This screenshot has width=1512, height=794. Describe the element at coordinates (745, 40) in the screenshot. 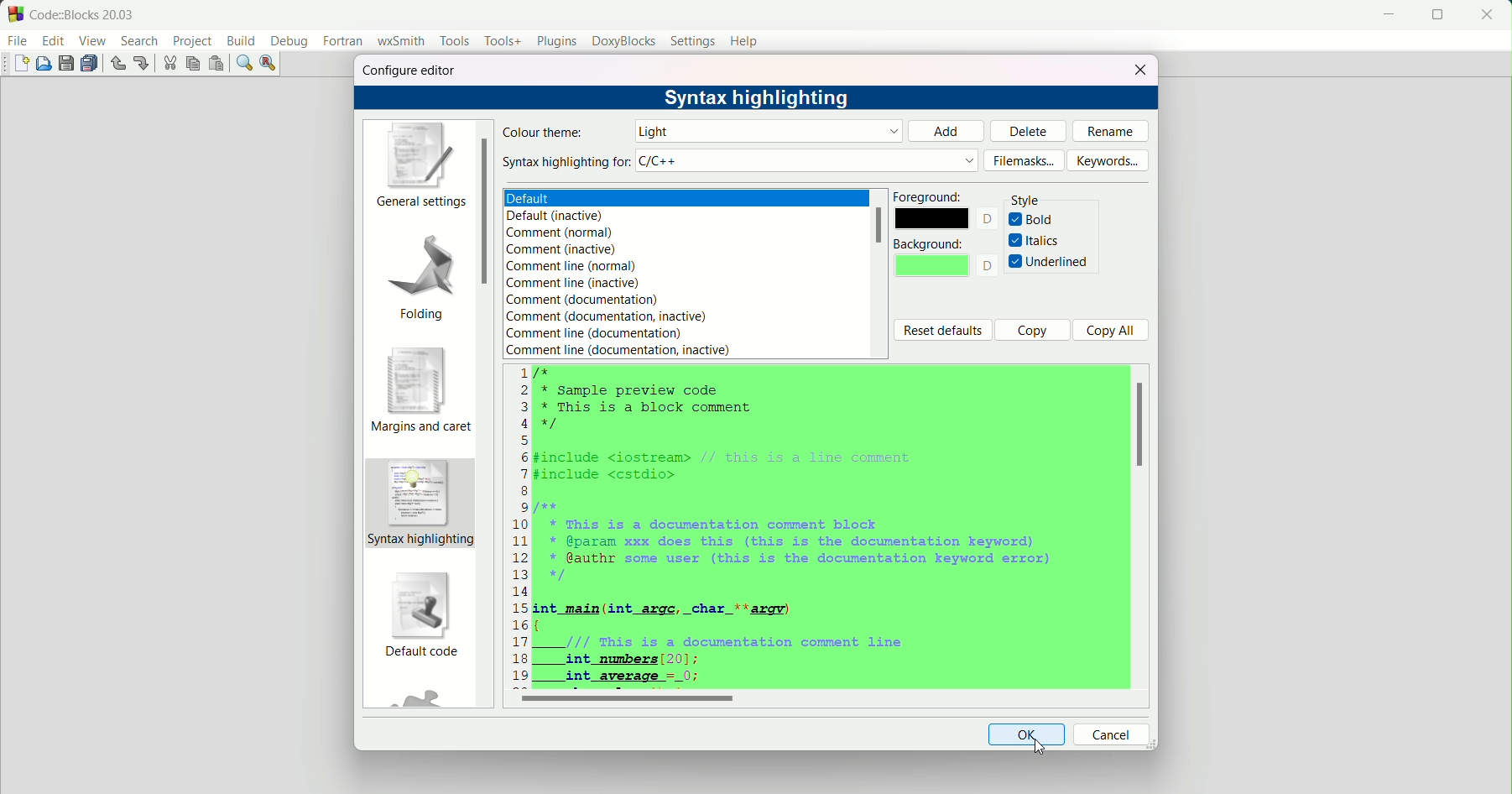

I see `help` at that location.